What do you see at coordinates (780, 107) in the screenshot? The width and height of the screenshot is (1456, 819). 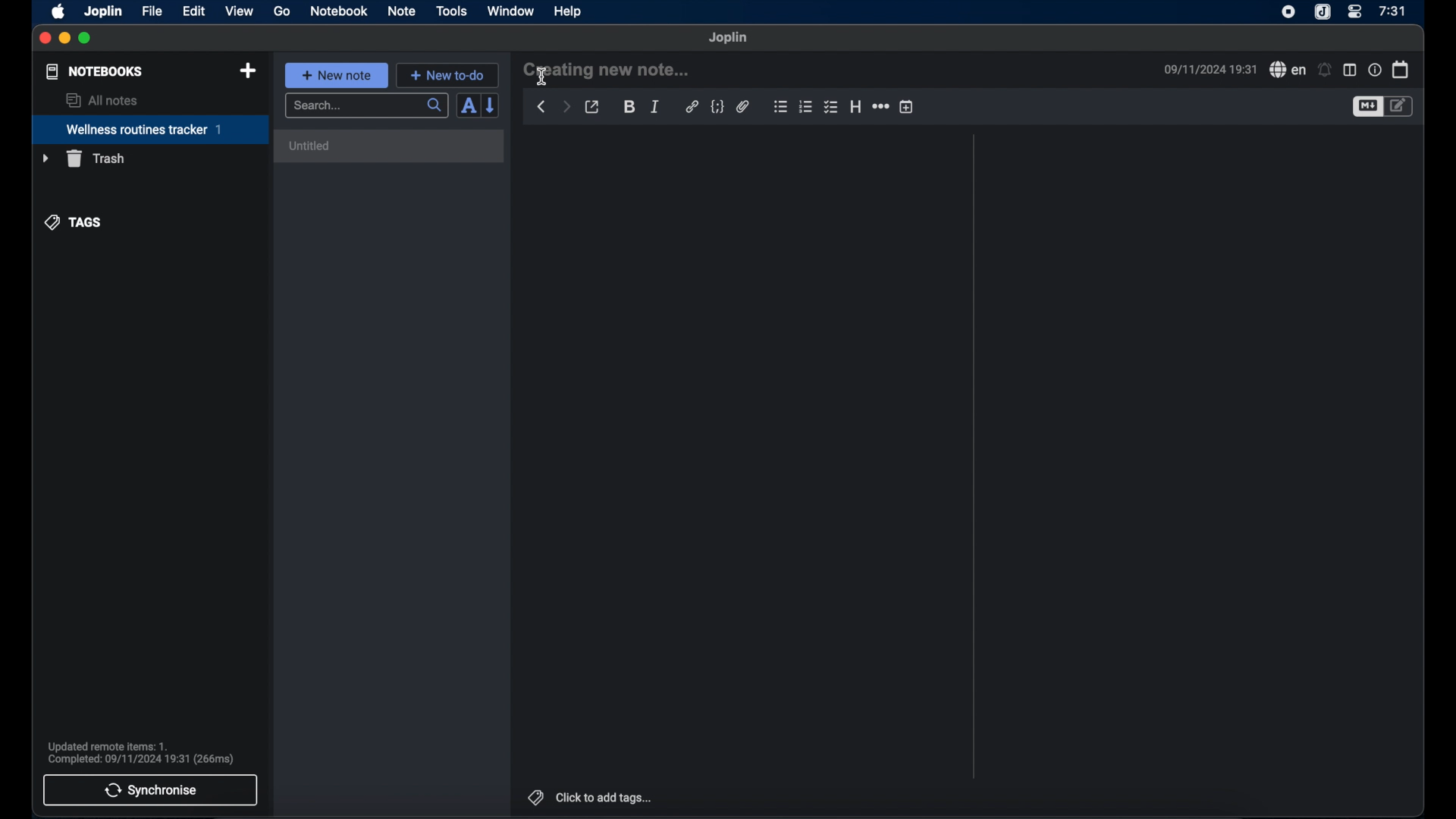 I see `bulleted list` at bounding box center [780, 107].